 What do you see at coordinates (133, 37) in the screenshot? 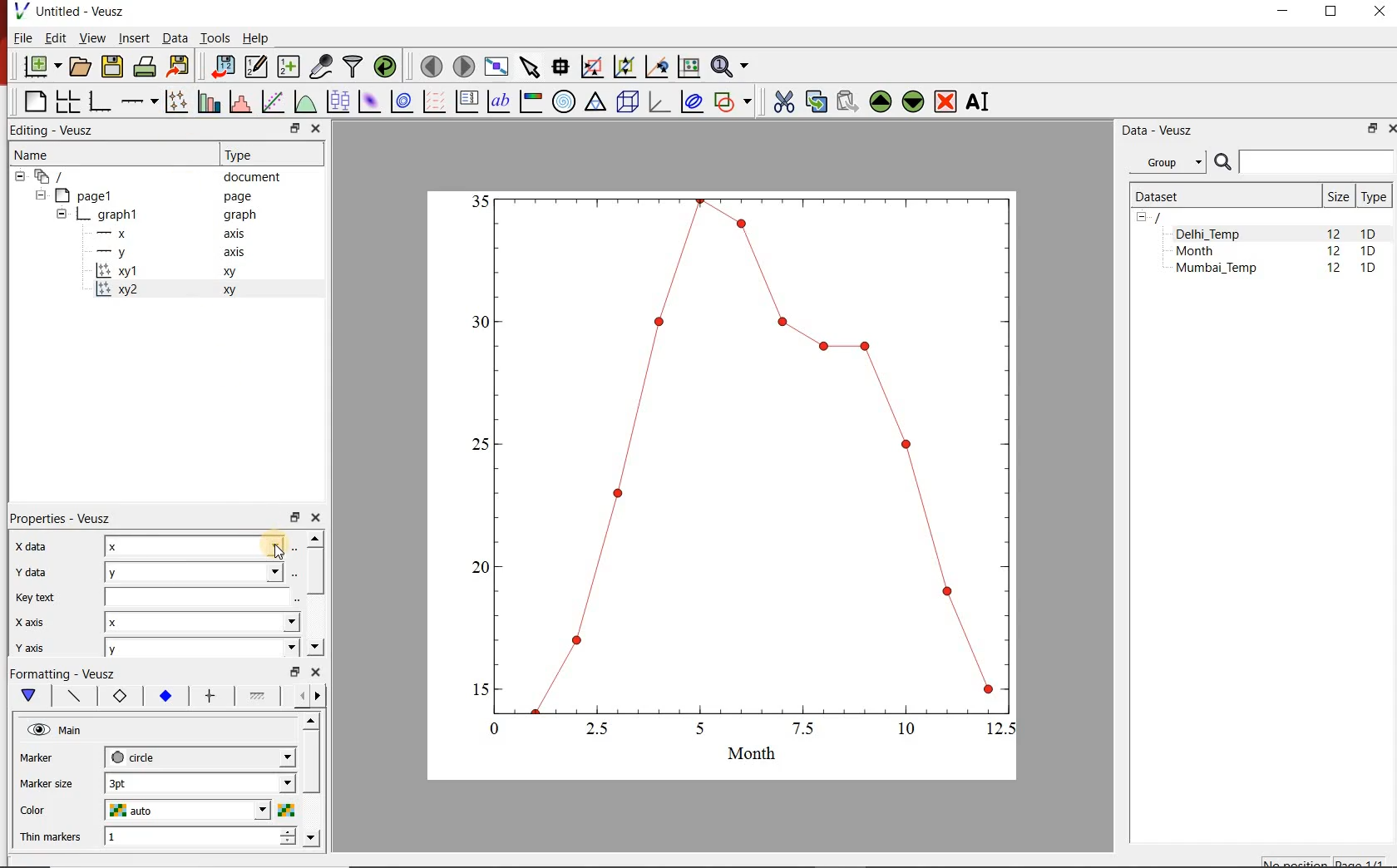
I see `Insert` at bounding box center [133, 37].